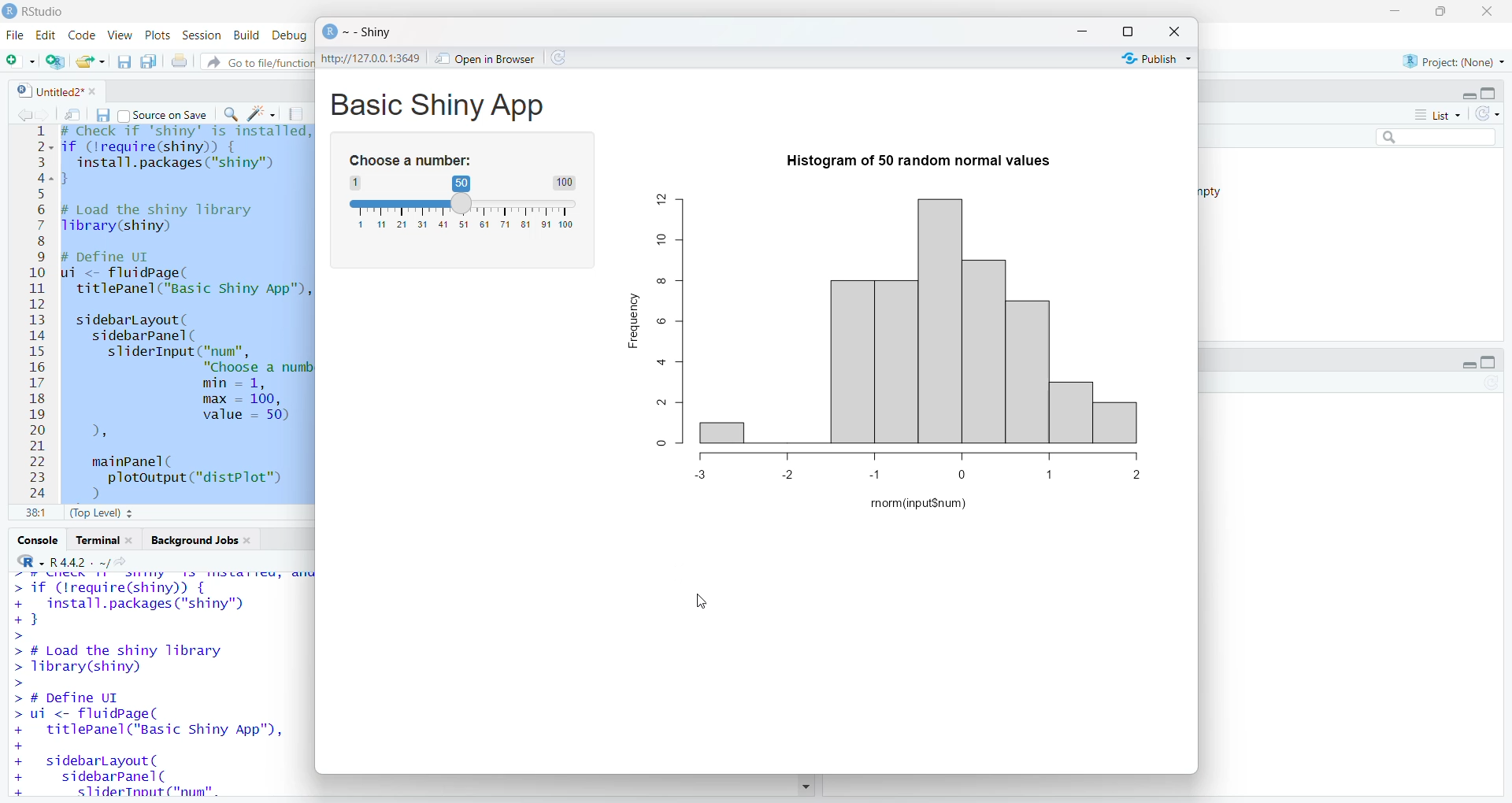  I want to click on maximize, so click(1490, 362).